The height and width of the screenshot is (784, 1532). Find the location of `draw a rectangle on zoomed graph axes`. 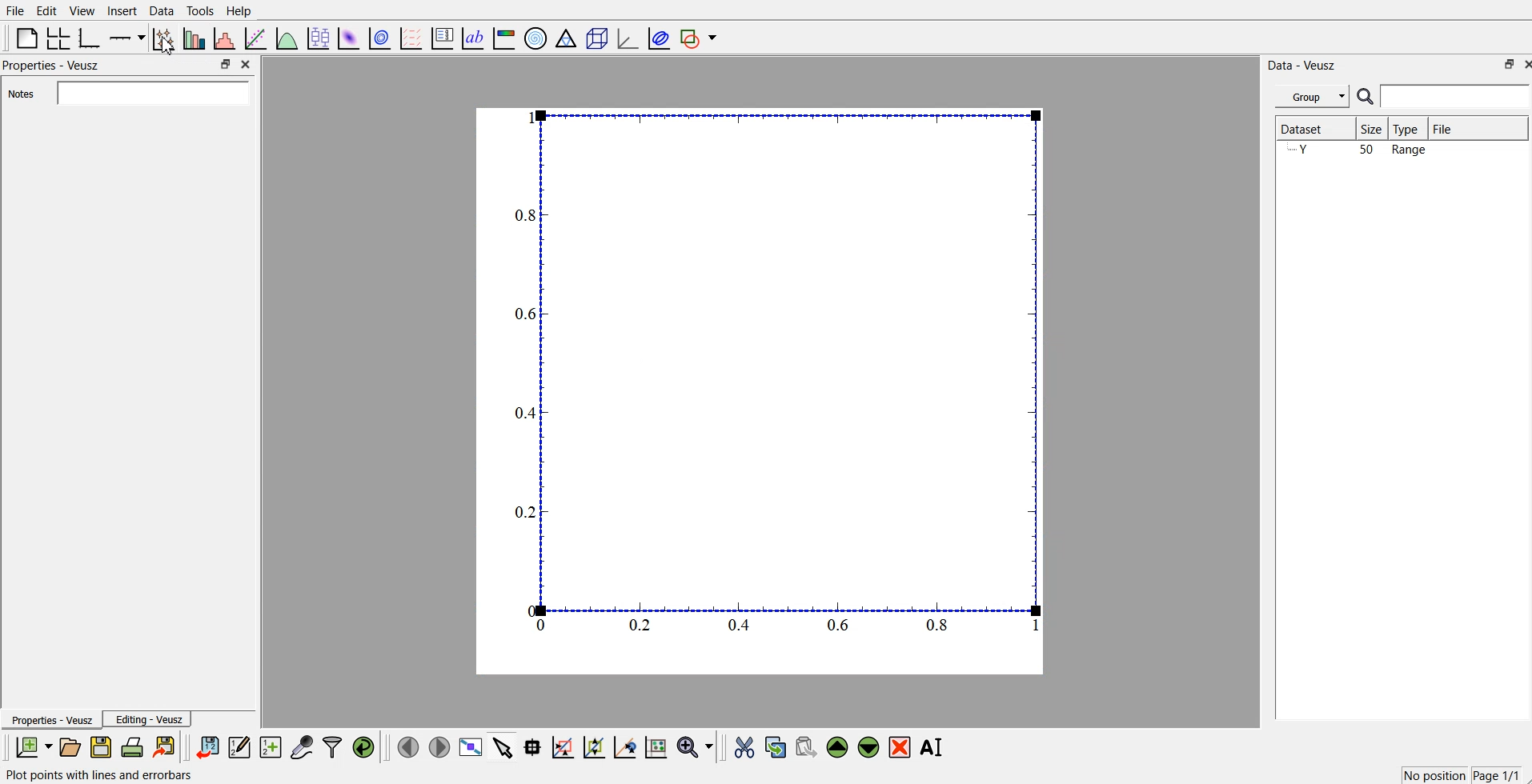

draw a rectangle on zoomed graph axes is located at coordinates (563, 749).